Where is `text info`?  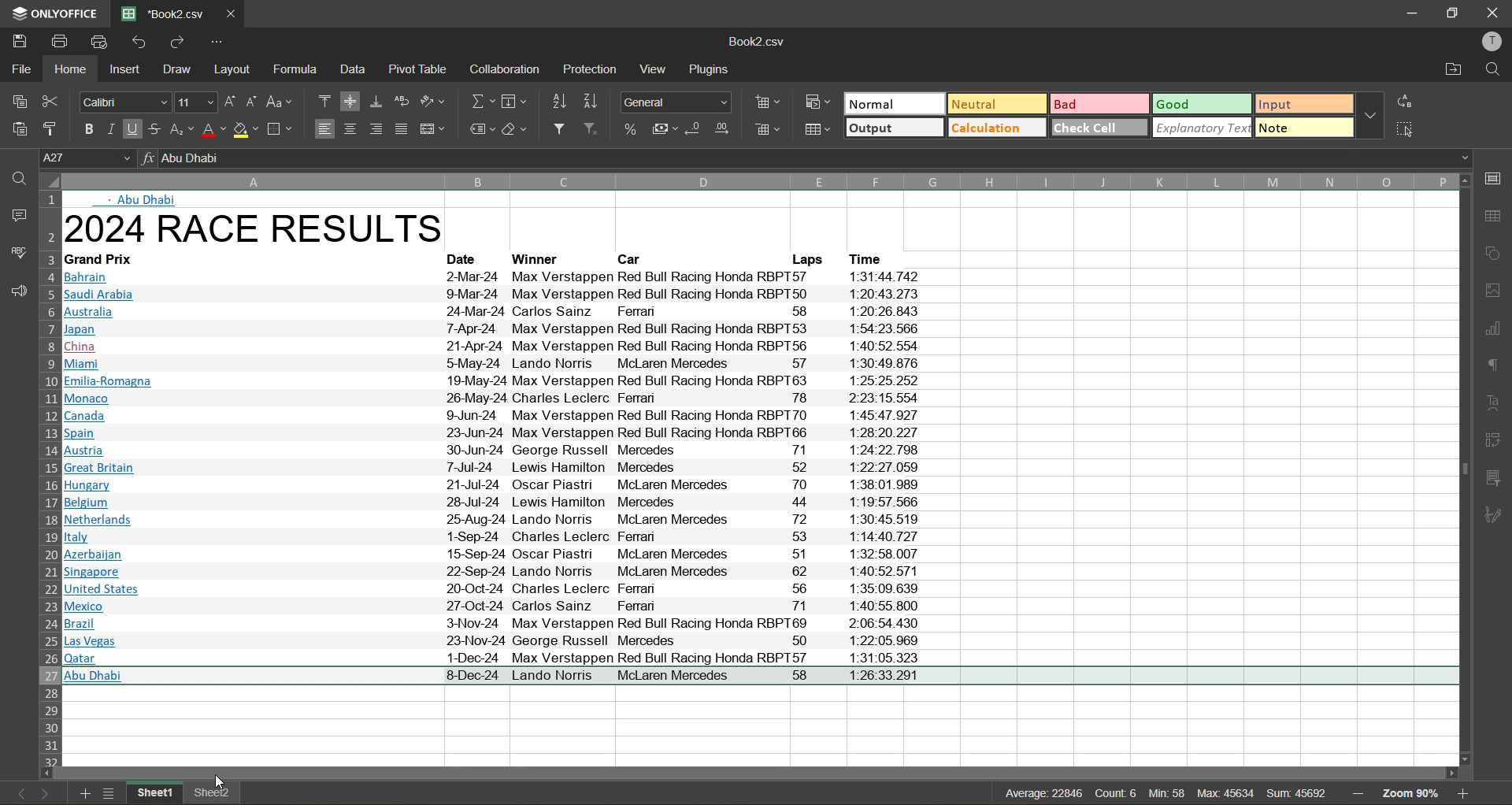 text info is located at coordinates (492, 588).